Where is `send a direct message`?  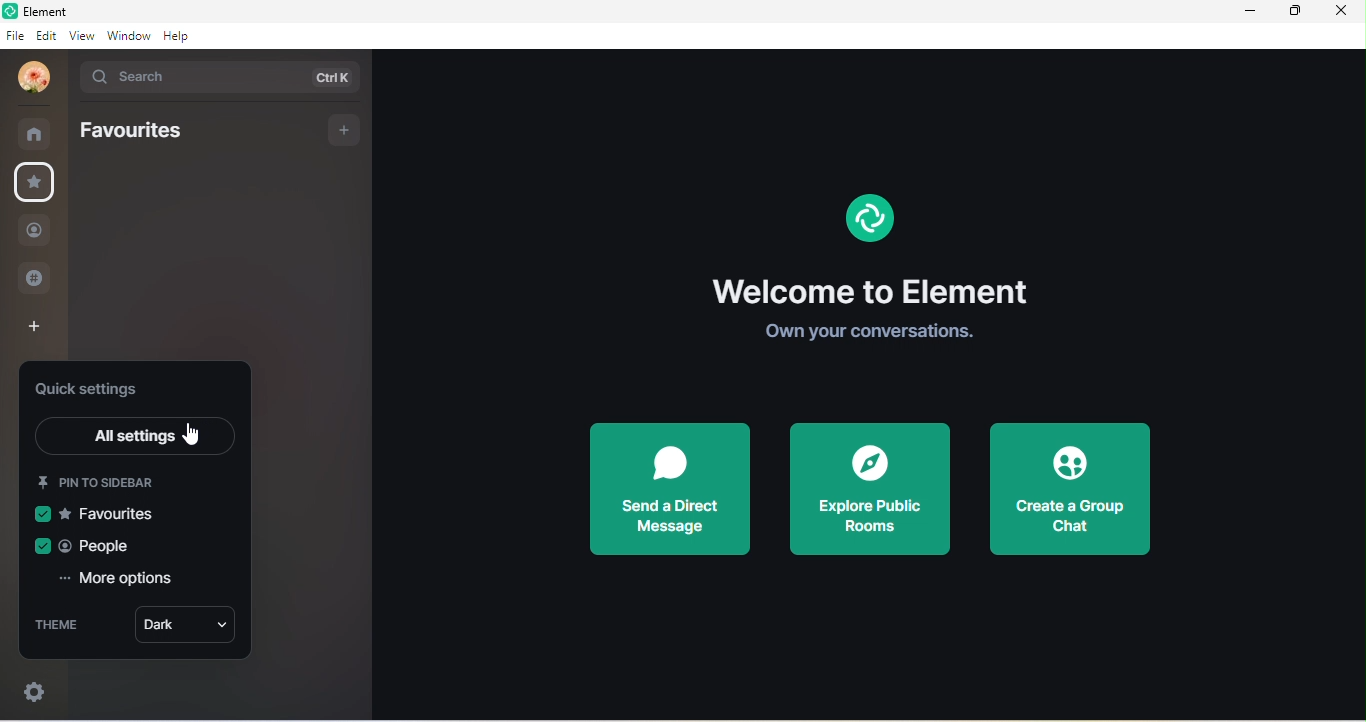 send a direct message is located at coordinates (679, 491).